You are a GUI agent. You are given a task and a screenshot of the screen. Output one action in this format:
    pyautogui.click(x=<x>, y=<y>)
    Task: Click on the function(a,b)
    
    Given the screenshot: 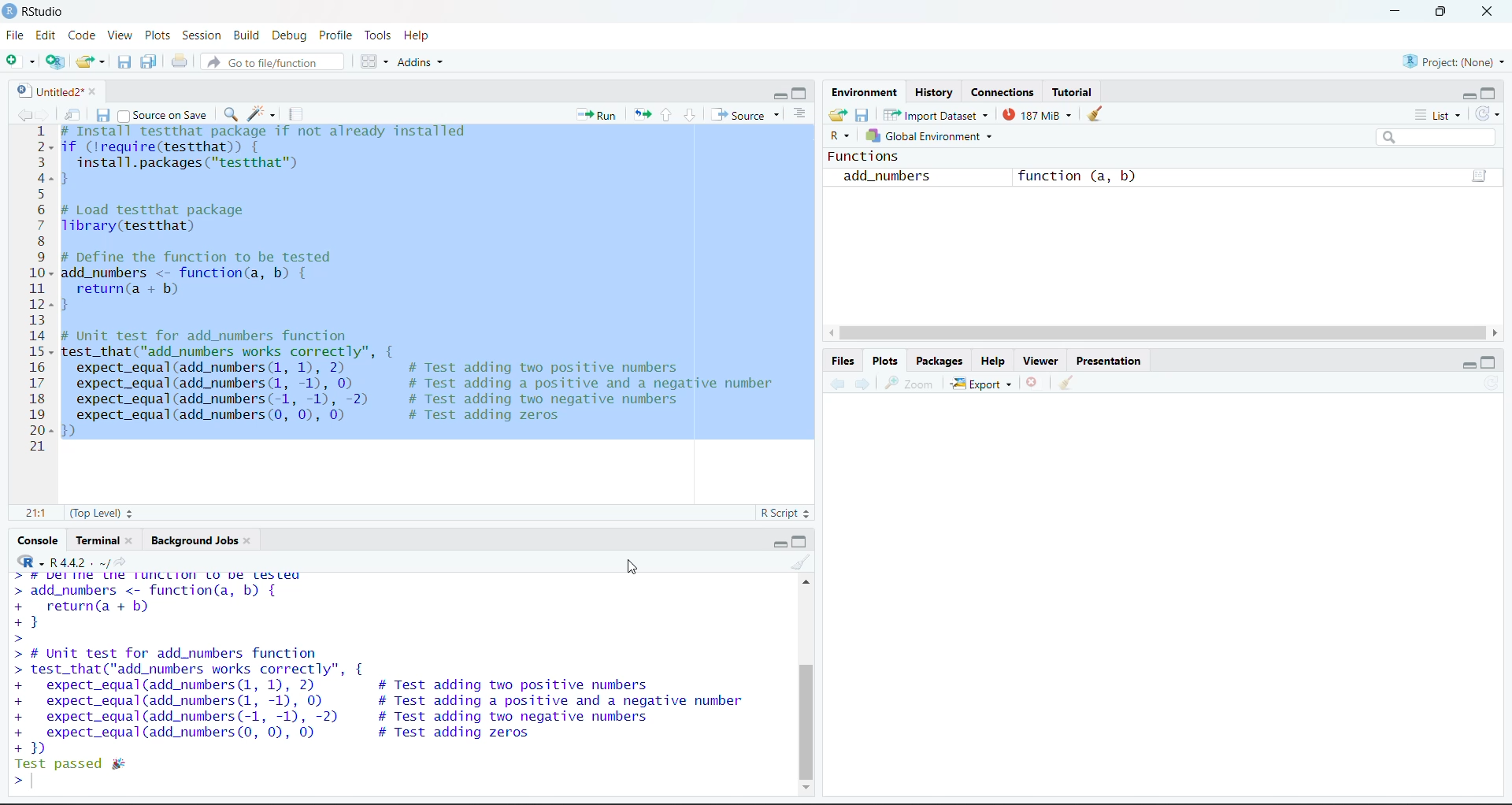 What is the action you would take?
    pyautogui.click(x=1480, y=176)
    